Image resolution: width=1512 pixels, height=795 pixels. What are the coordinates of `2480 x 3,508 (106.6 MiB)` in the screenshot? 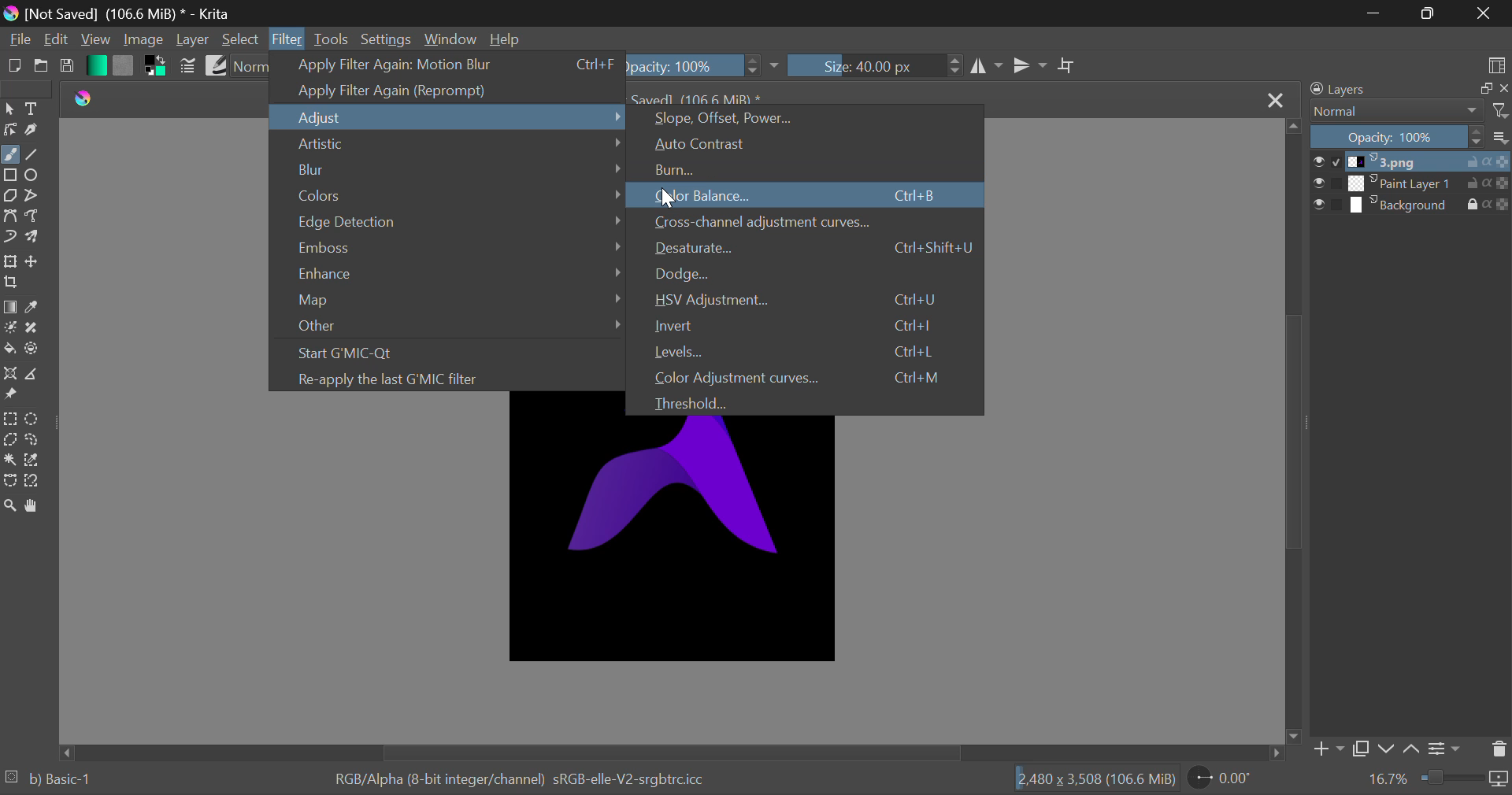 It's located at (1089, 782).